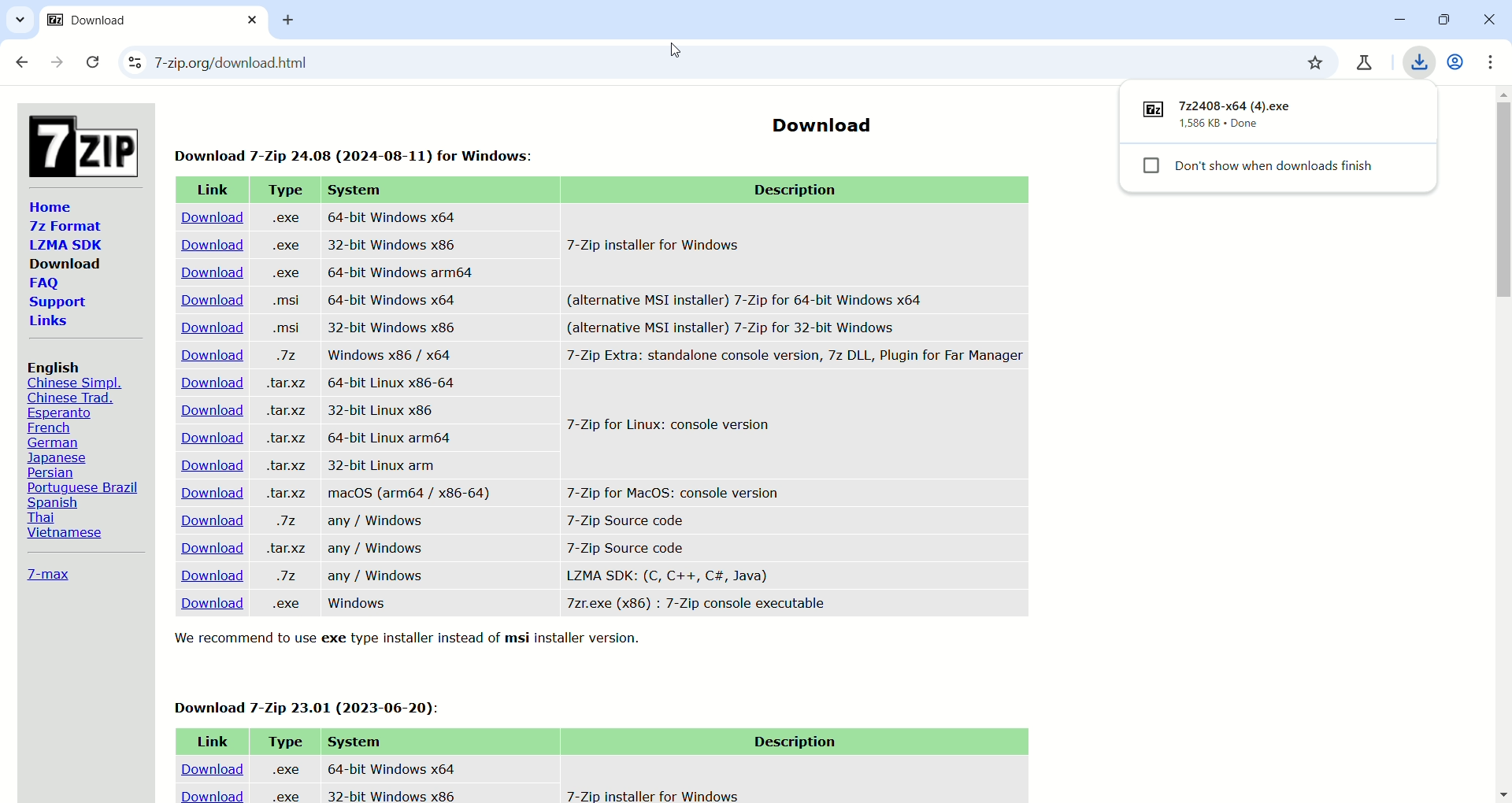  Describe the element at coordinates (387, 464) in the screenshot. I see `32-bit Linux arm` at that location.